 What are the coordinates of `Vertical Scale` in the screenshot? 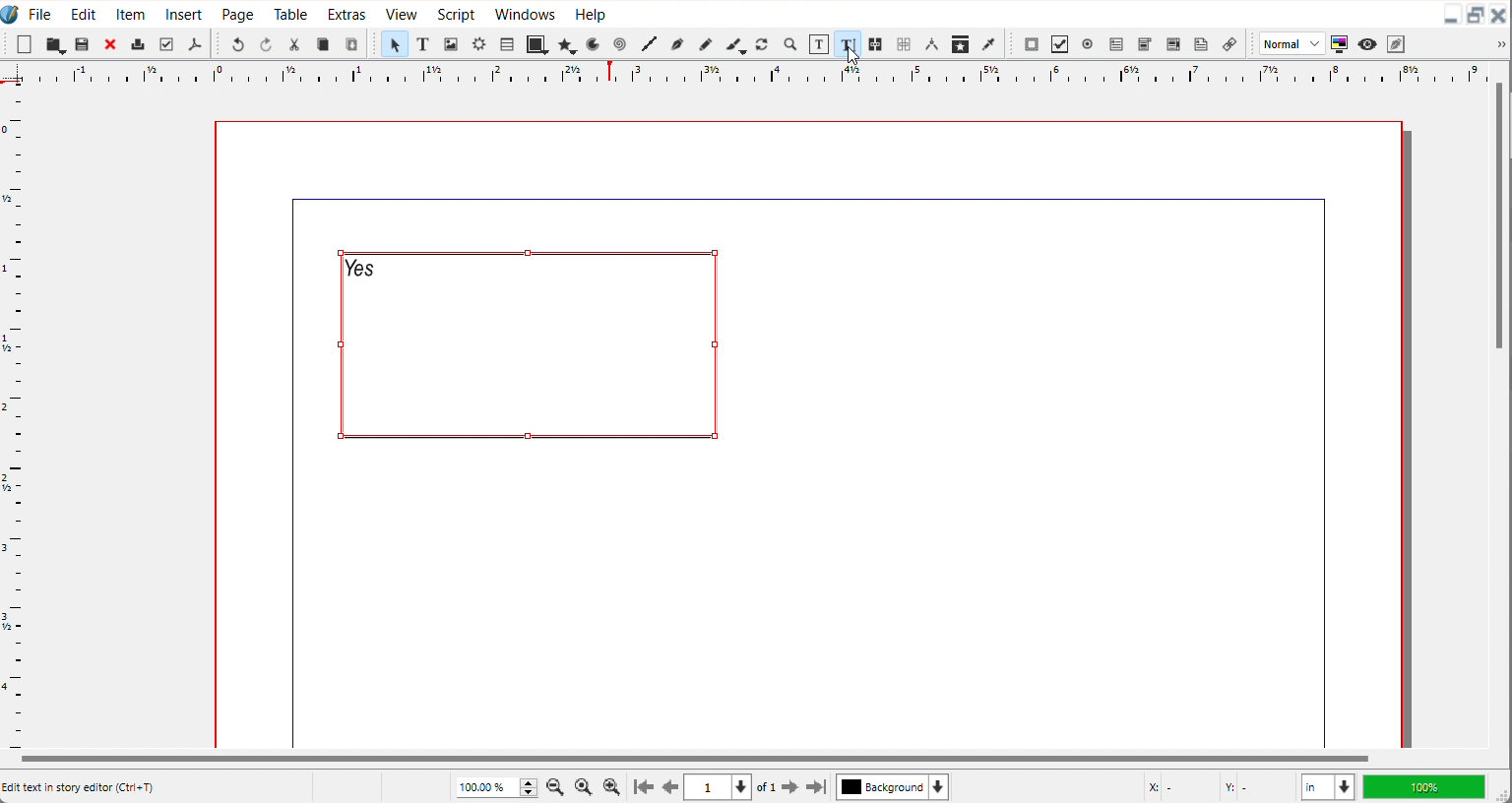 It's located at (14, 413).